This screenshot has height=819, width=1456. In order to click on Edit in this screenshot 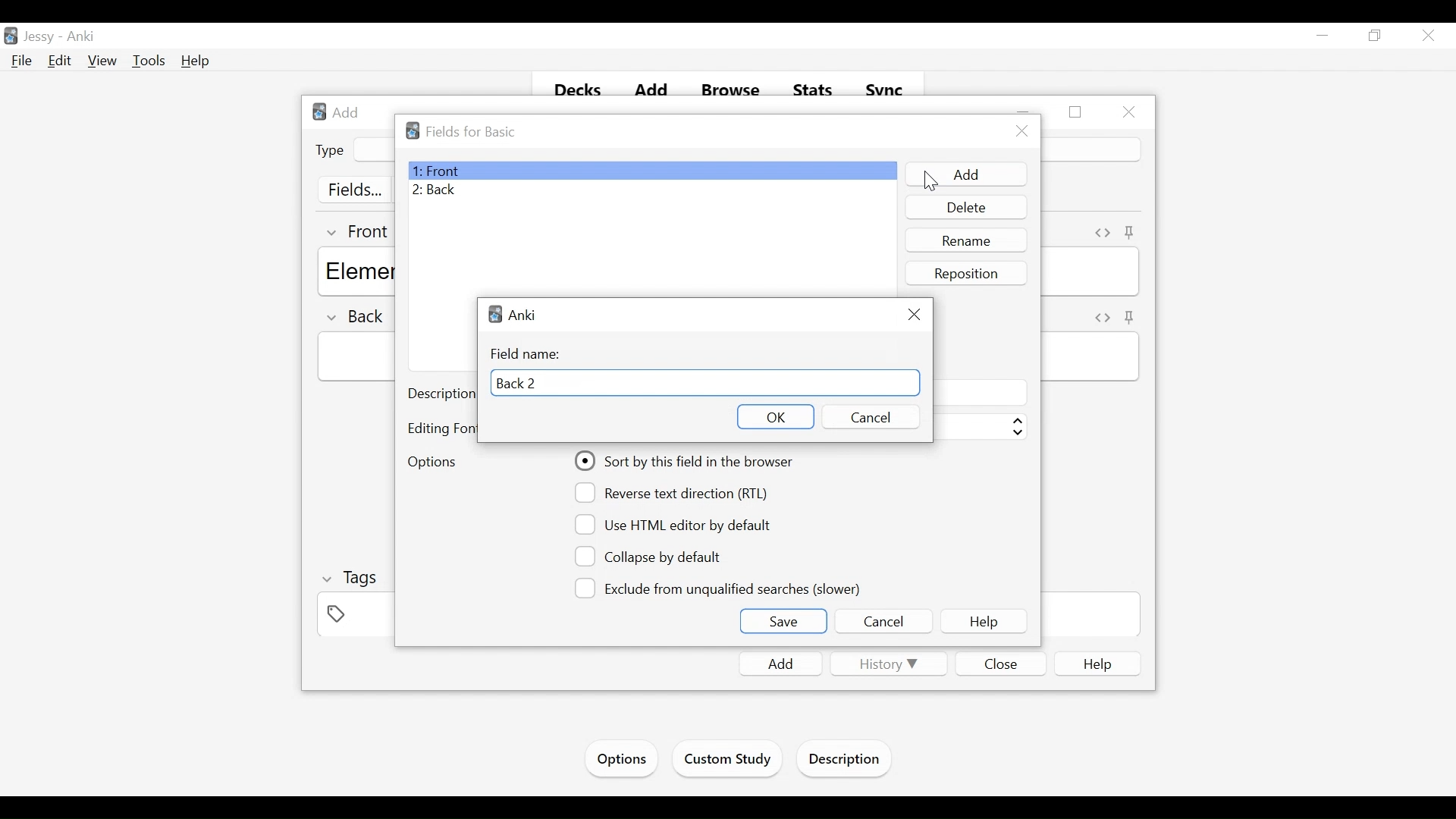, I will do `click(60, 60)`.